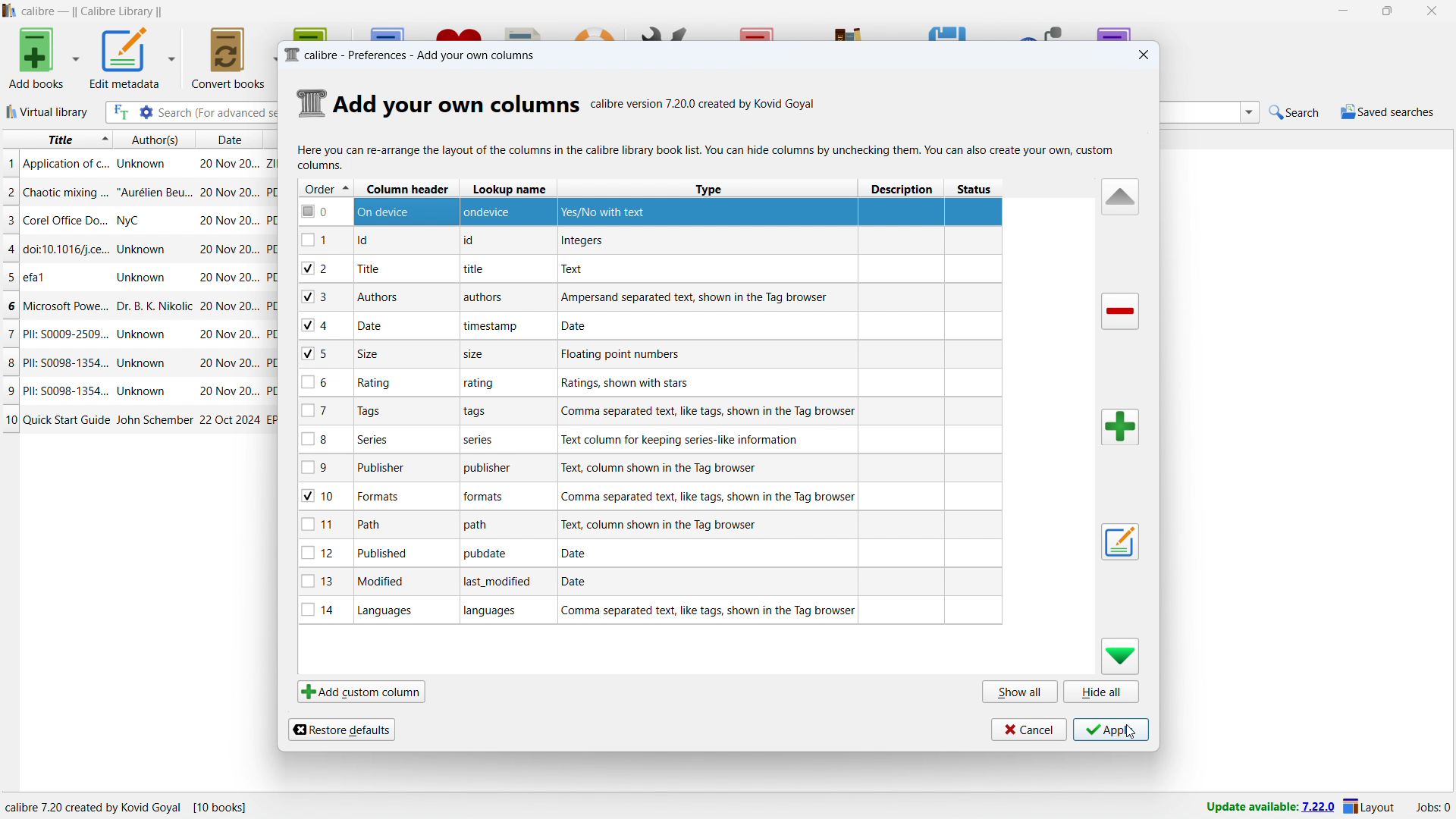 The image size is (1456, 819). Describe the element at coordinates (155, 192) in the screenshot. I see `author` at that location.